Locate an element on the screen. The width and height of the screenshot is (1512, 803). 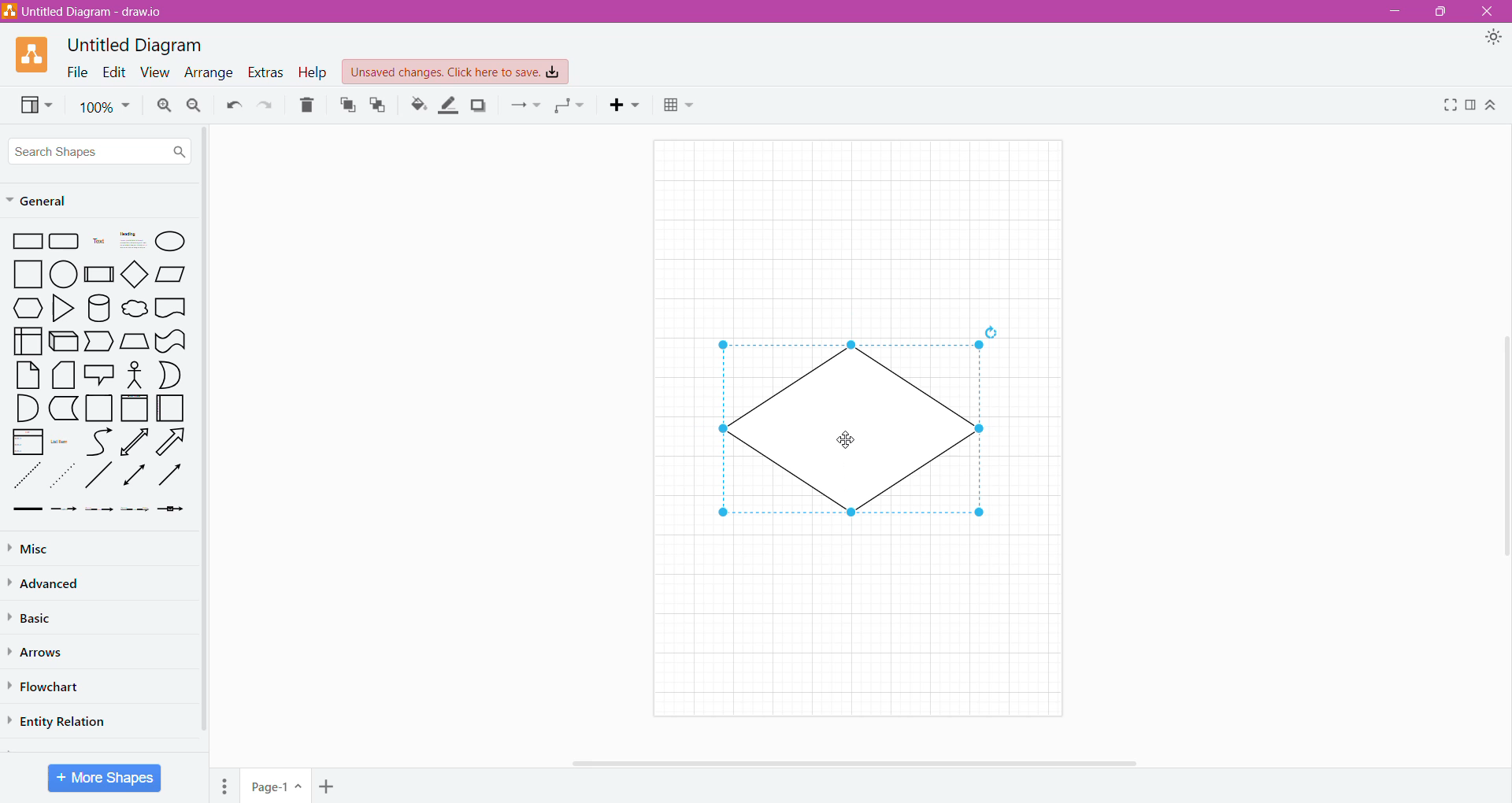
Untitled Diagram is located at coordinates (139, 44).